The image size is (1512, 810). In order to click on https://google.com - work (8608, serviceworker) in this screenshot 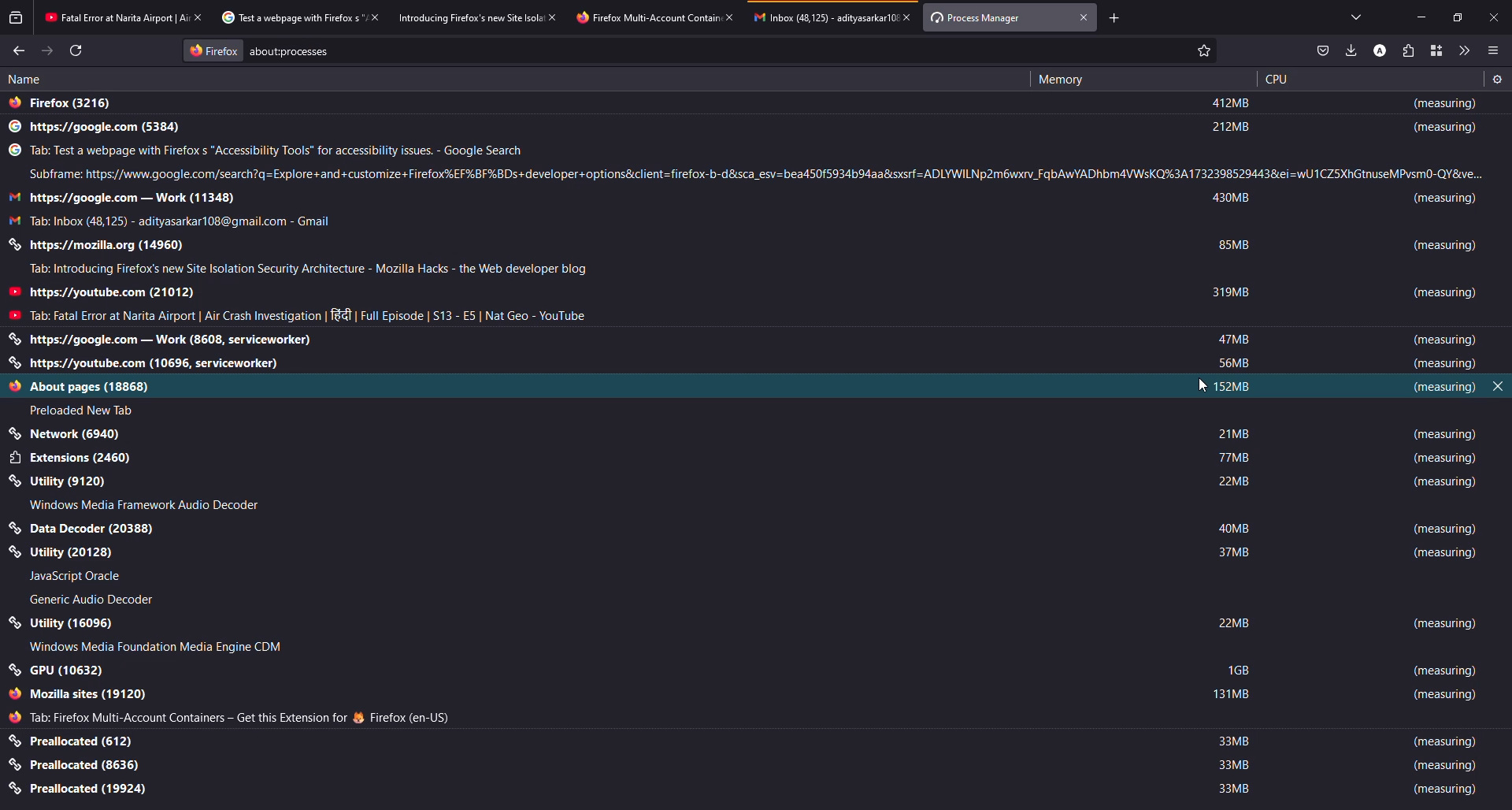, I will do `click(162, 340)`.